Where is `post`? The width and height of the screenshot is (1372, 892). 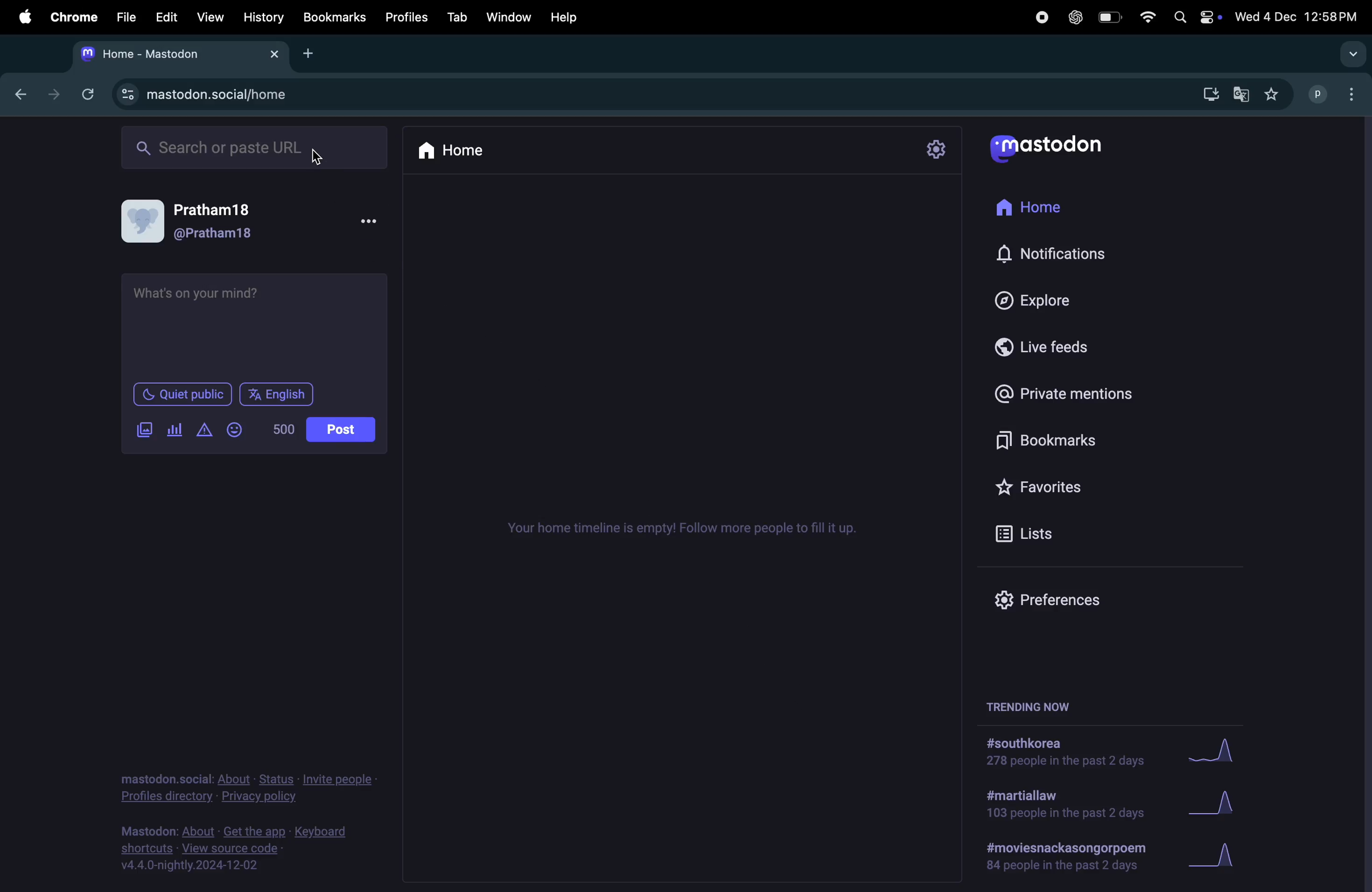 post is located at coordinates (341, 428).